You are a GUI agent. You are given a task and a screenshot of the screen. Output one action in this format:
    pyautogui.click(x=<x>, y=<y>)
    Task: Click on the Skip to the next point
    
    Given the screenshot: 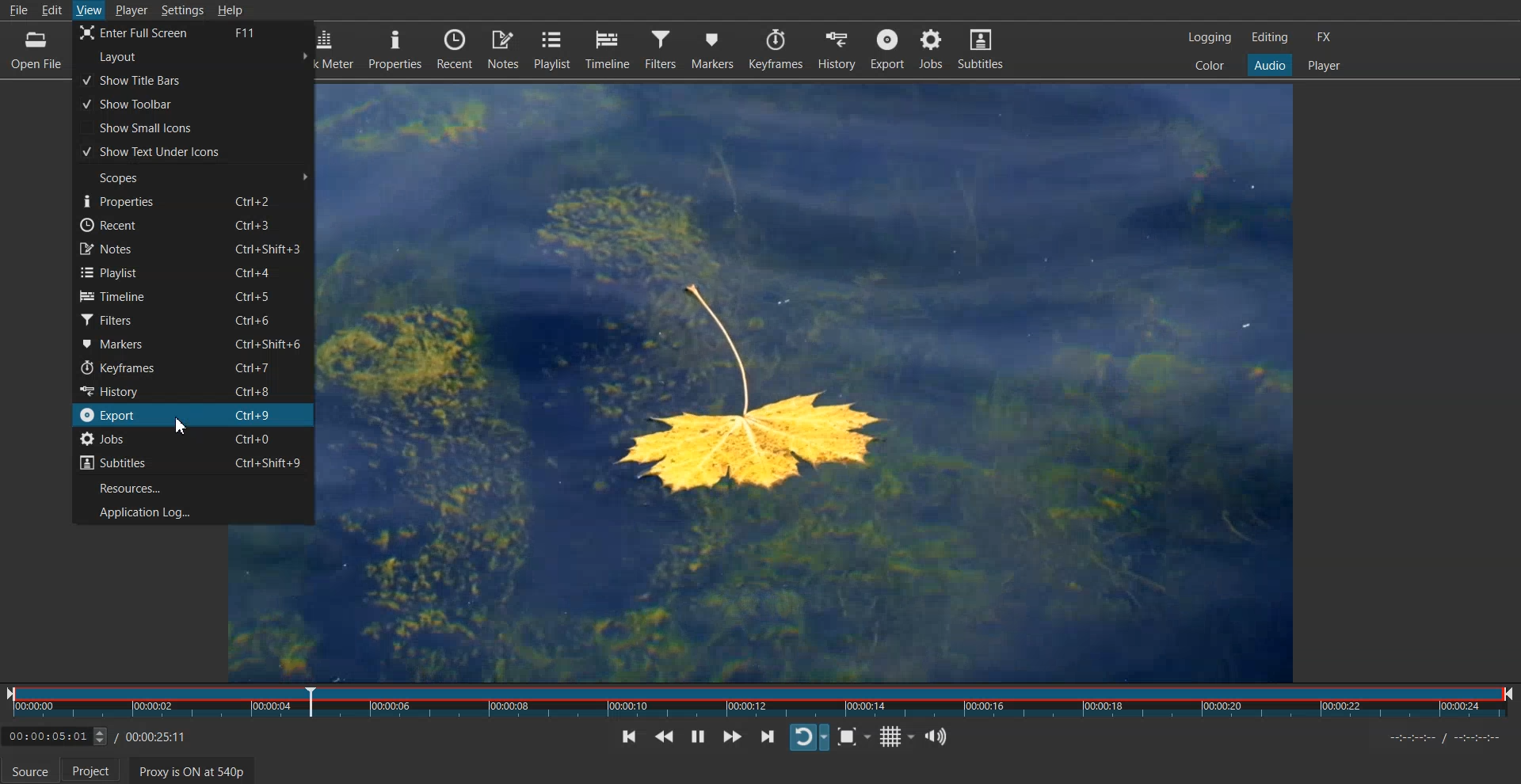 What is the action you would take?
    pyautogui.click(x=768, y=736)
    